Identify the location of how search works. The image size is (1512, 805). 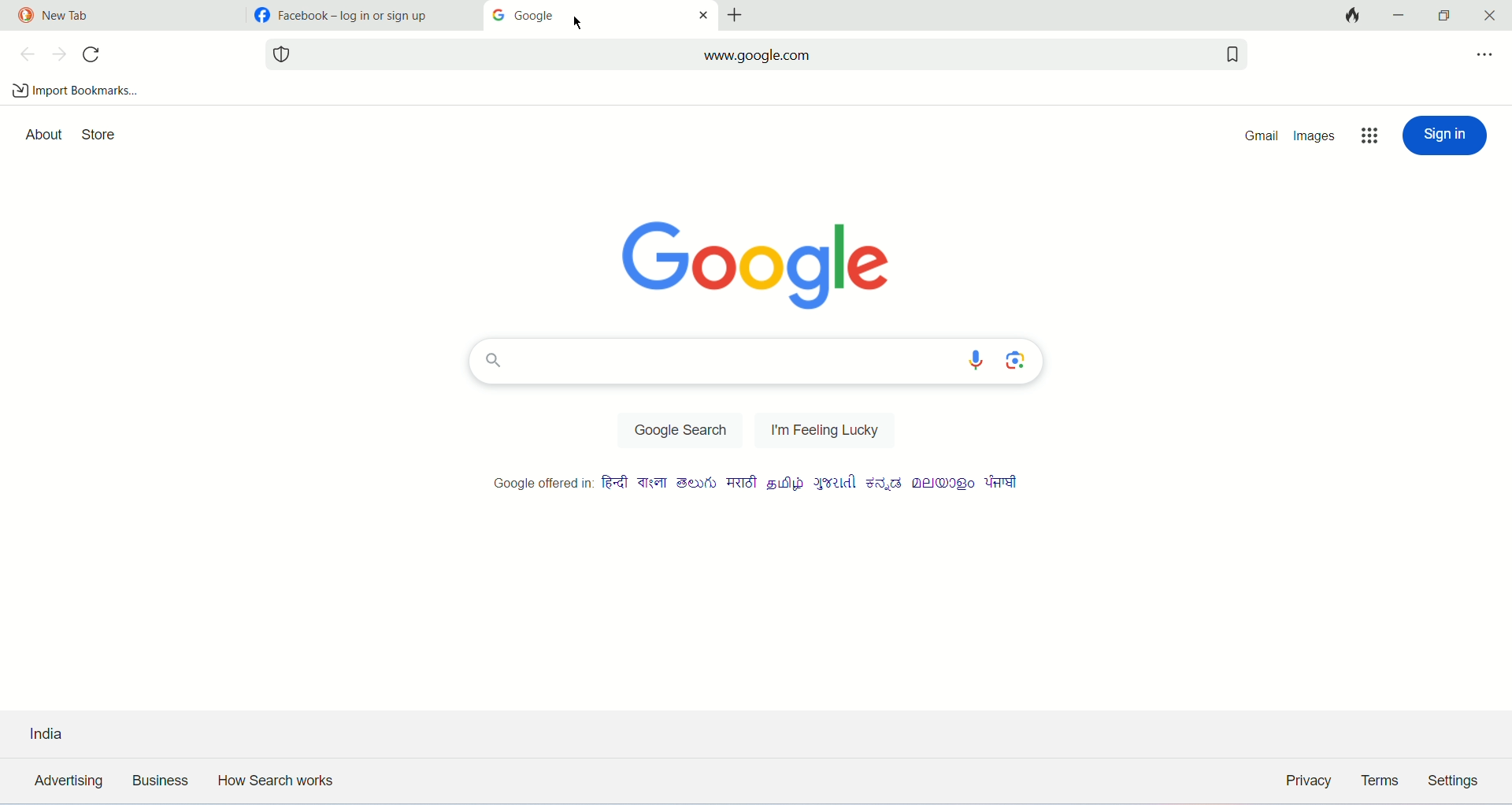
(278, 782).